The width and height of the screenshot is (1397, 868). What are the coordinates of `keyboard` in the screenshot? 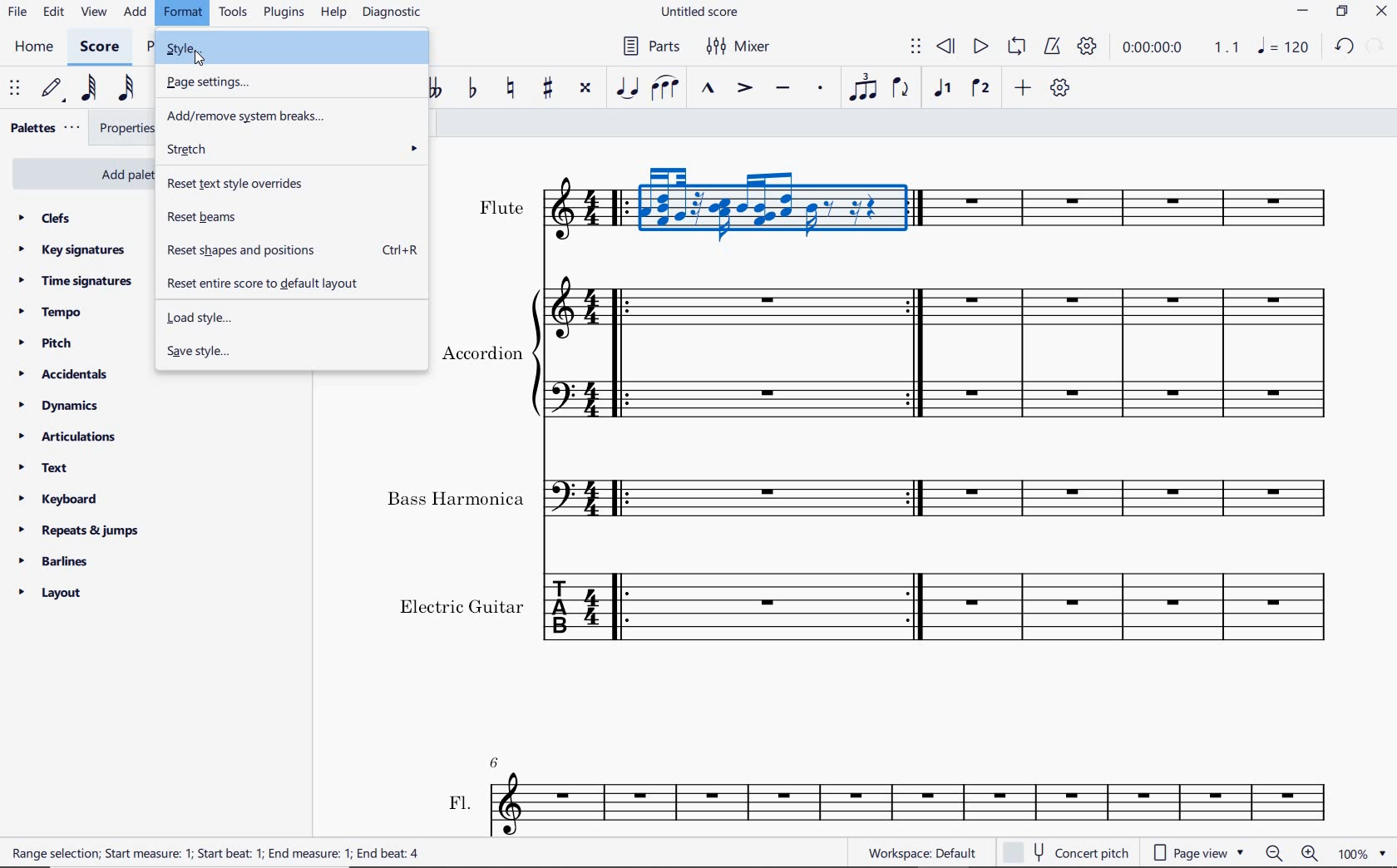 It's located at (61, 499).